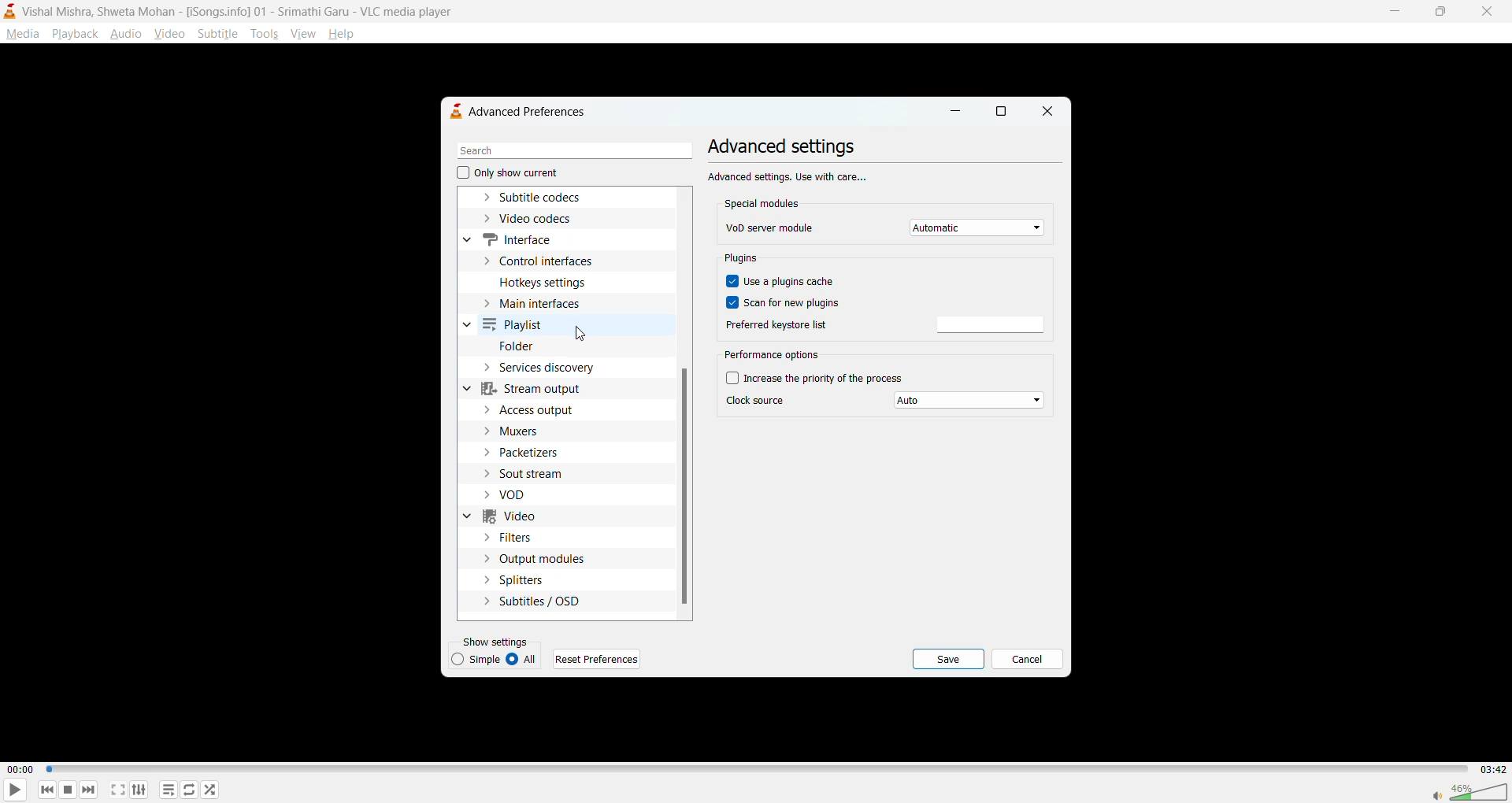 Image resolution: width=1512 pixels, height=803 pixels. Describe the element at coordinates (784, 302) in the screenshot. I see `scan for new  plugins` at that location.